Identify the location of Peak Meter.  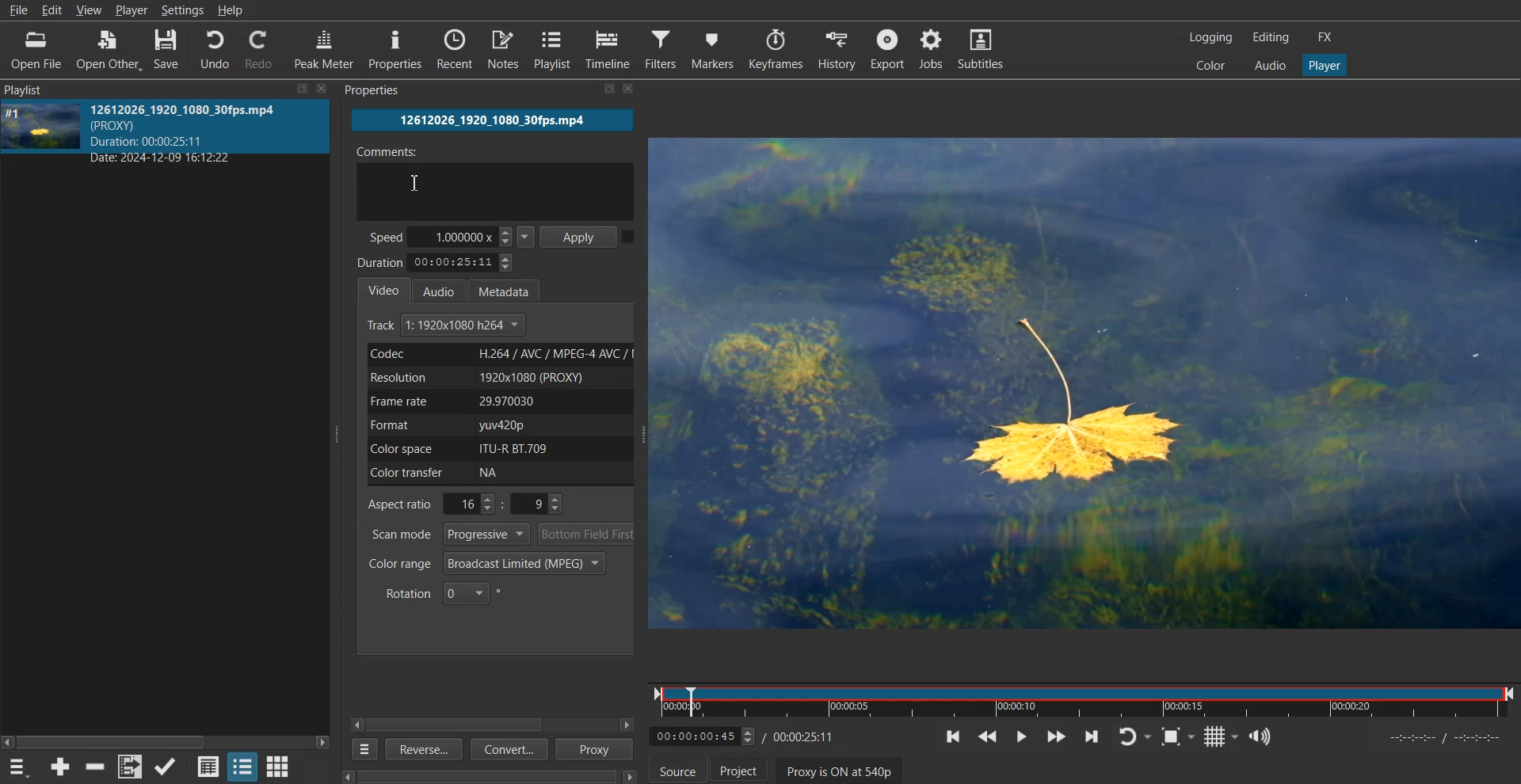
(325, 48).